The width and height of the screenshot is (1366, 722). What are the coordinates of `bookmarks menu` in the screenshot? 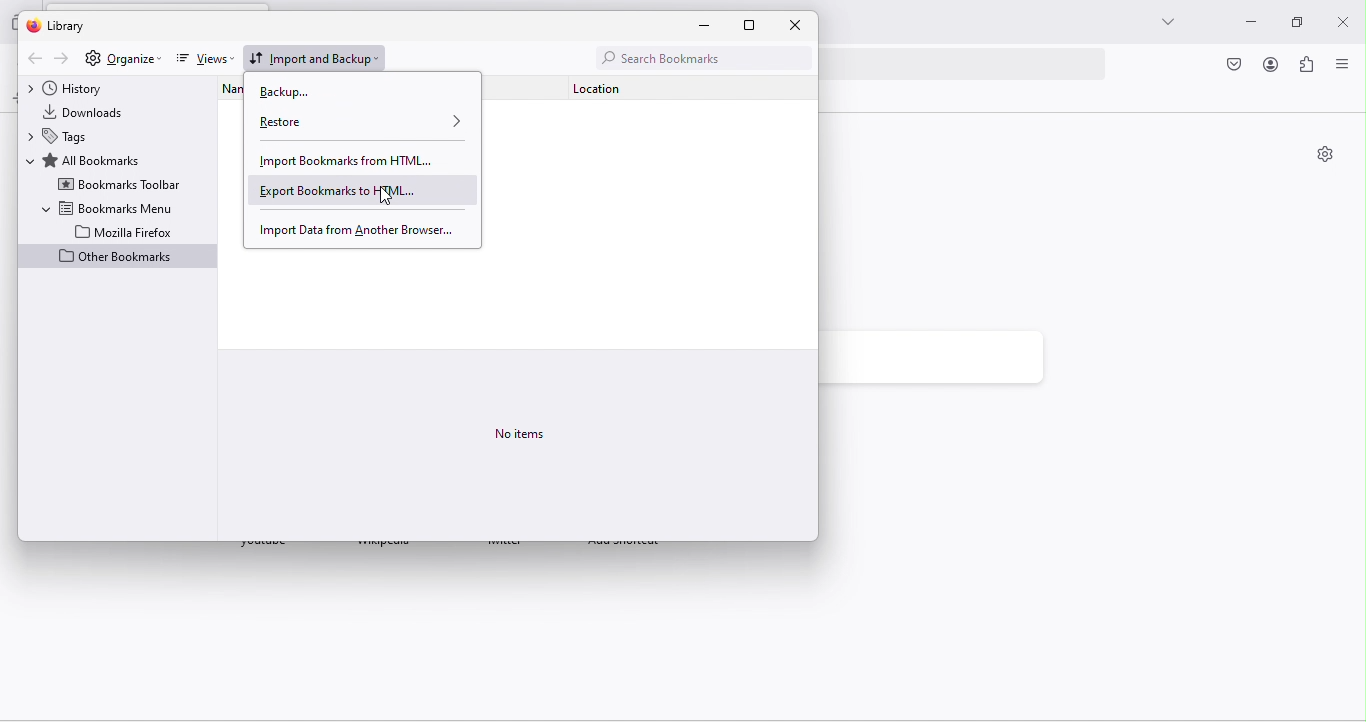 It's located at (107, 207).